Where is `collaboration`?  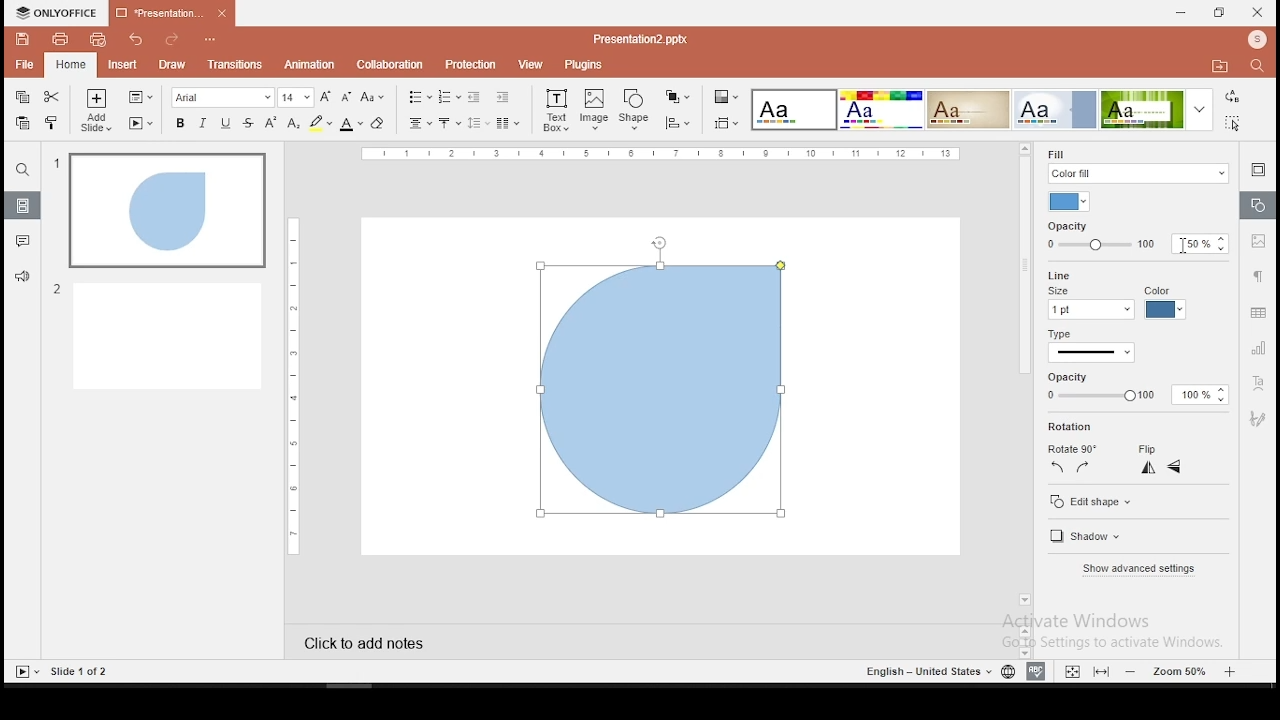 collaboration is located at coordinates (389, 65).